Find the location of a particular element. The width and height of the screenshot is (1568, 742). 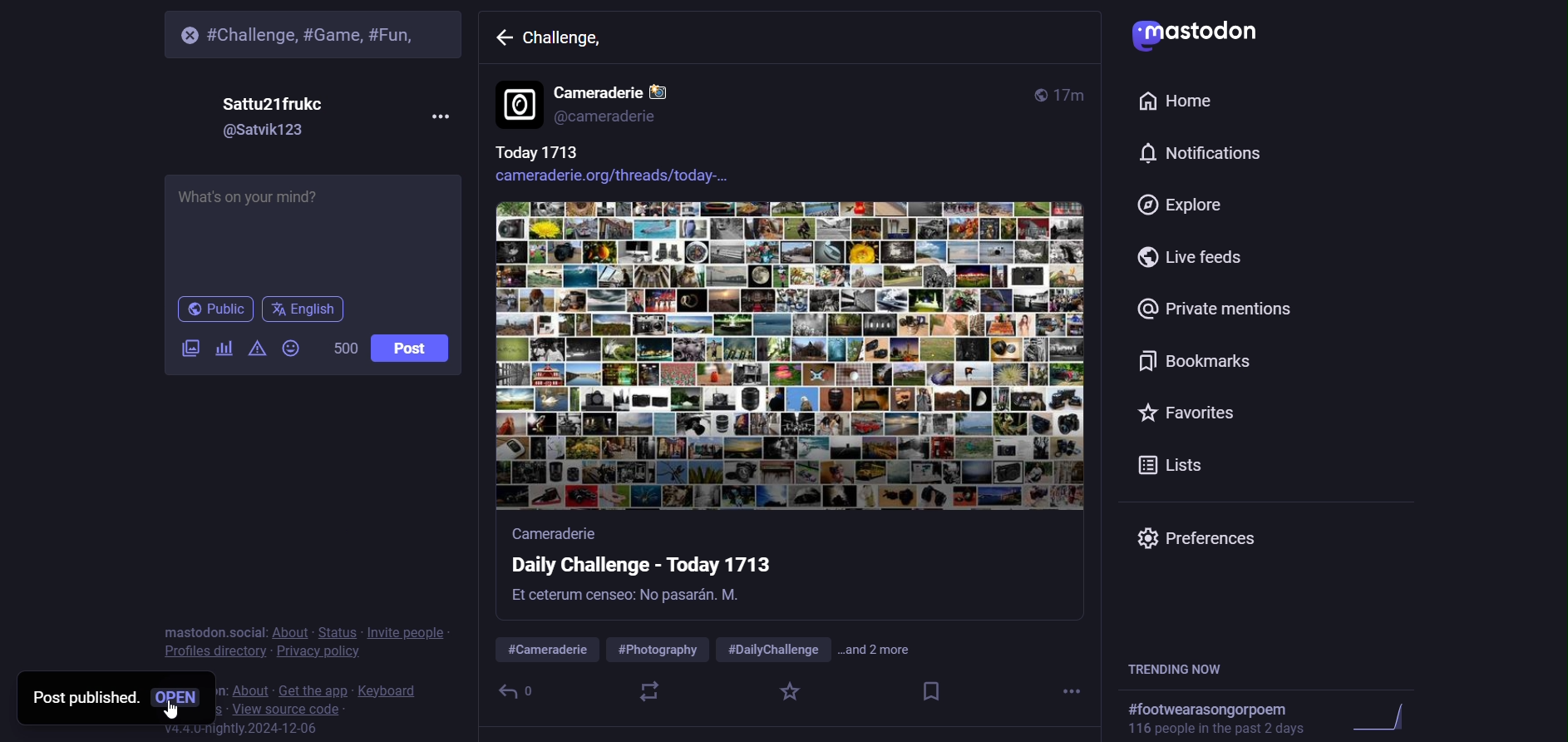

close is located at coordinates (185, 35).